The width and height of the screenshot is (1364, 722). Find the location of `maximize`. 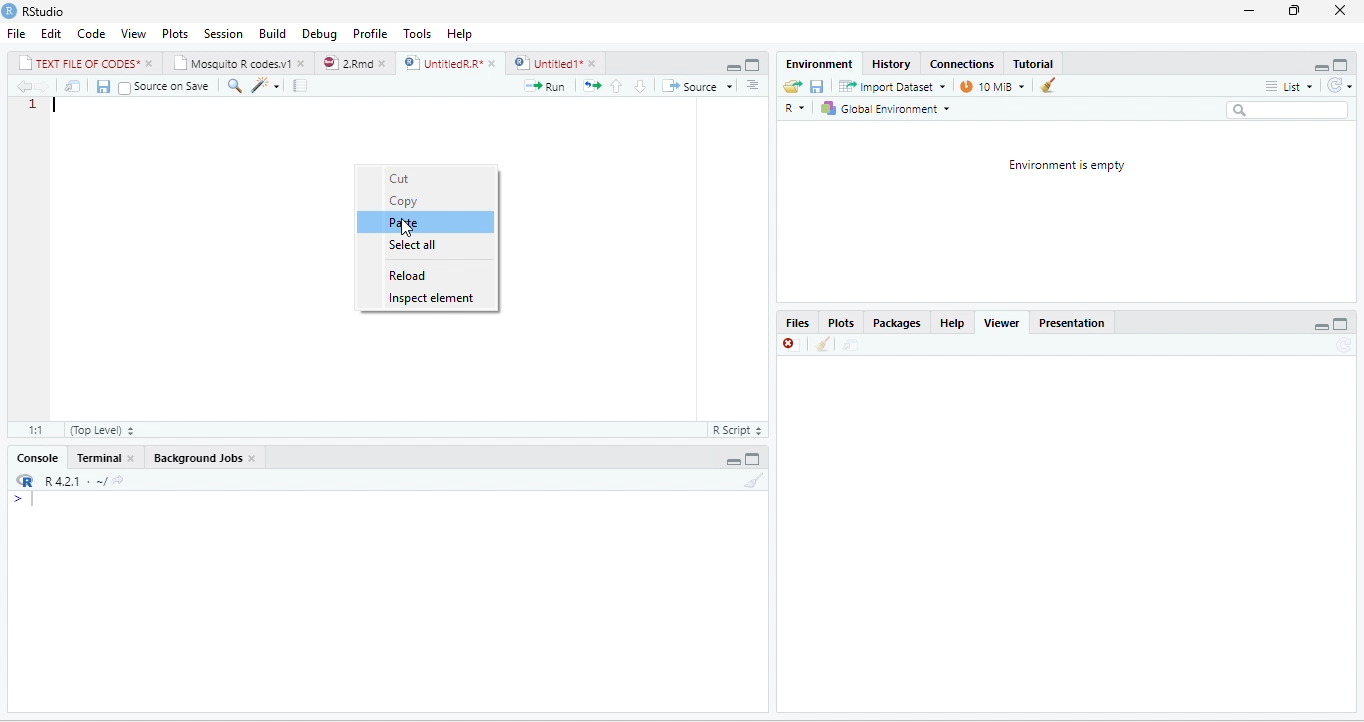

maximize is located at coordinates (754, 457).